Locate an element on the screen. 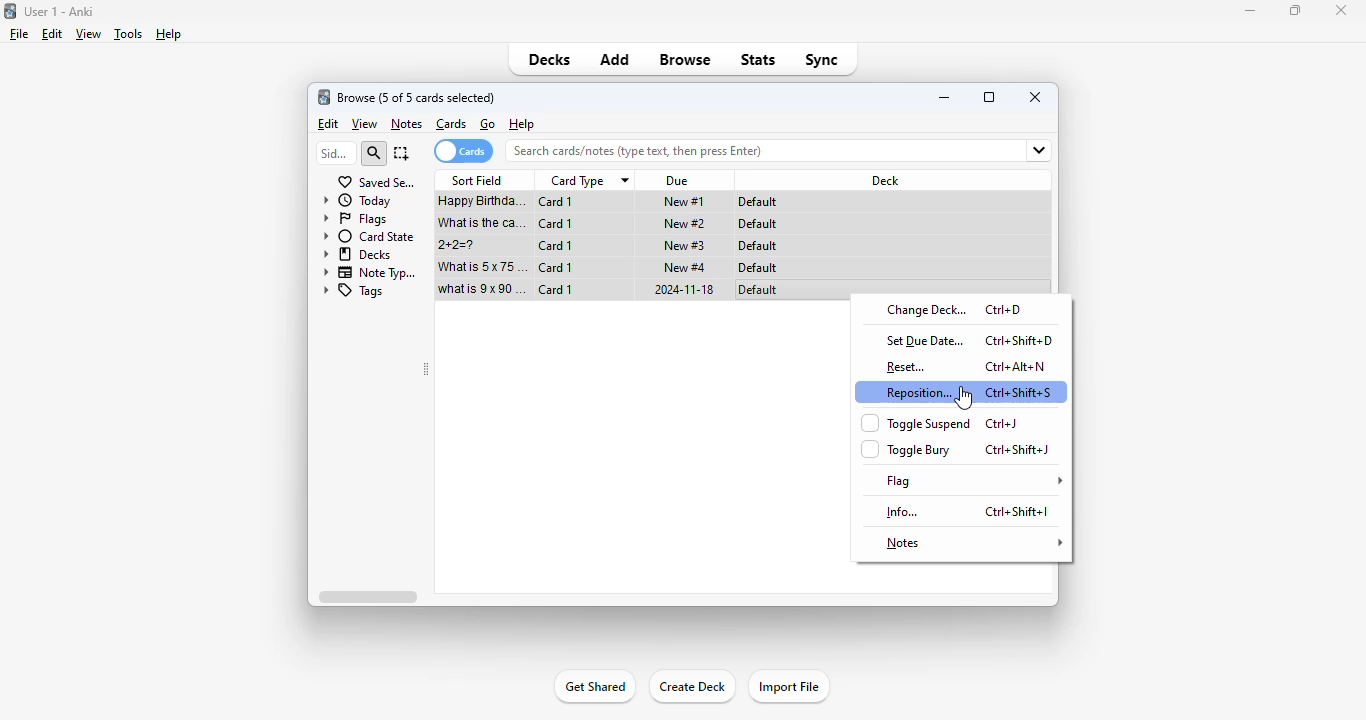  get shared is located at coordinates (596, 686).